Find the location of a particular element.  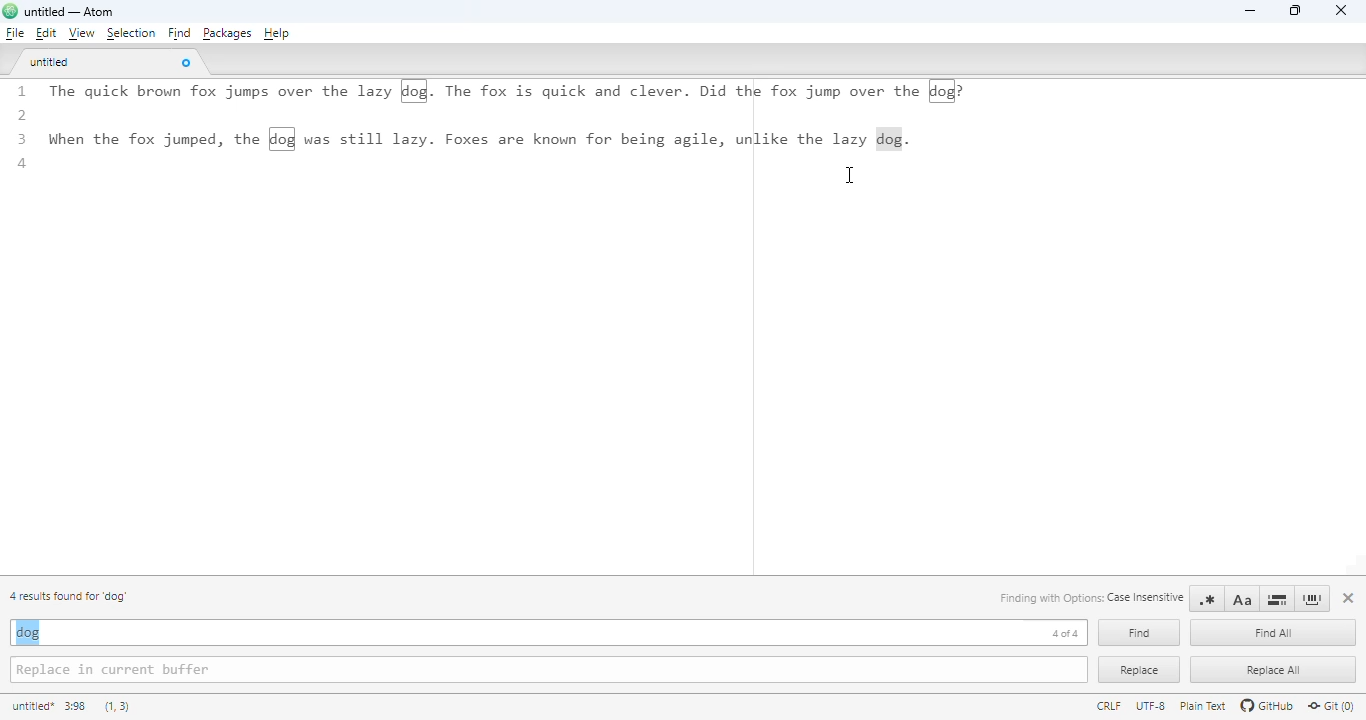

close panel is located at coordinates (1349, 598).